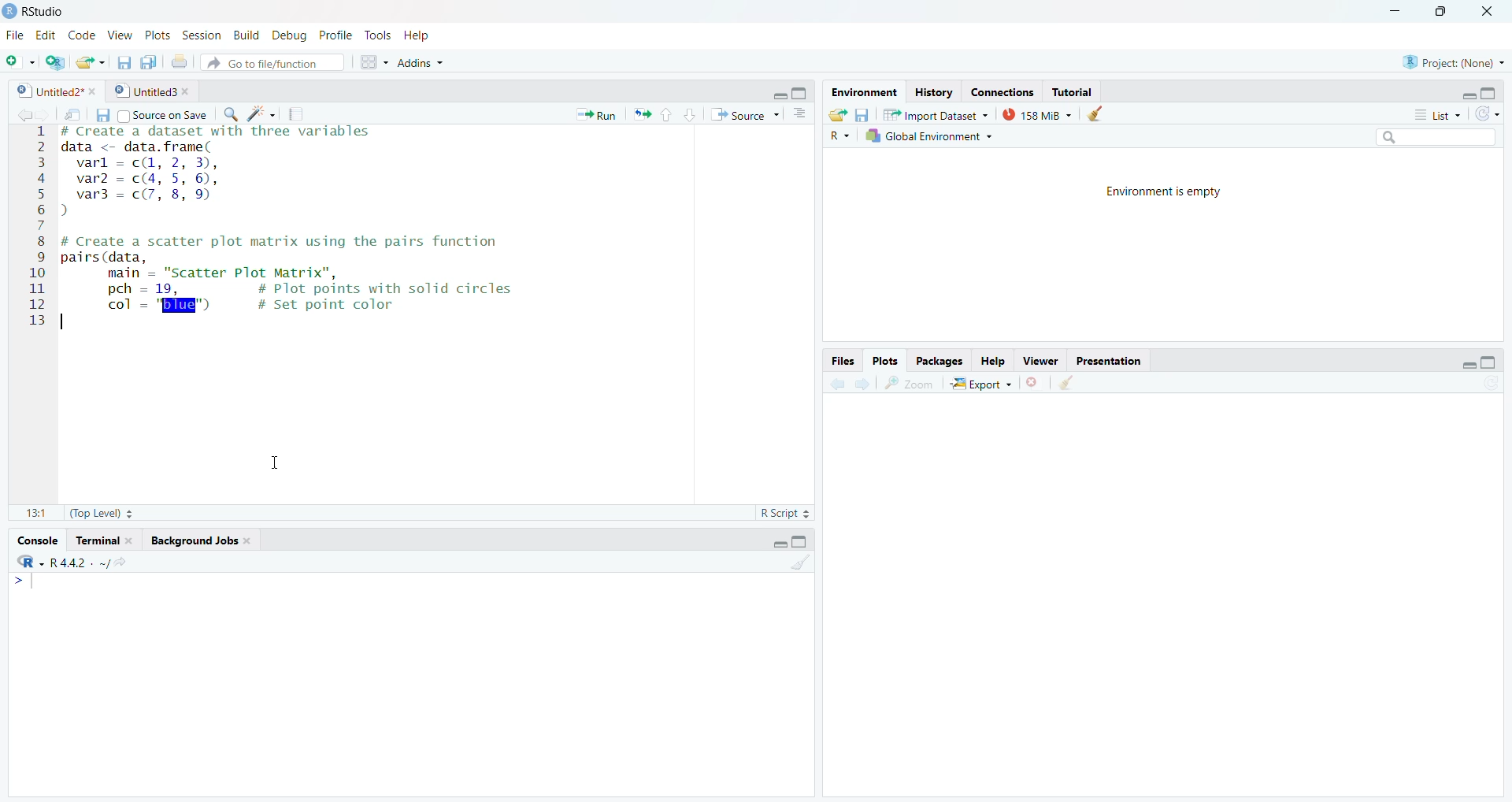 This screenshot has width=1512, height=802. I want to click on Logo, so click(9, 9).